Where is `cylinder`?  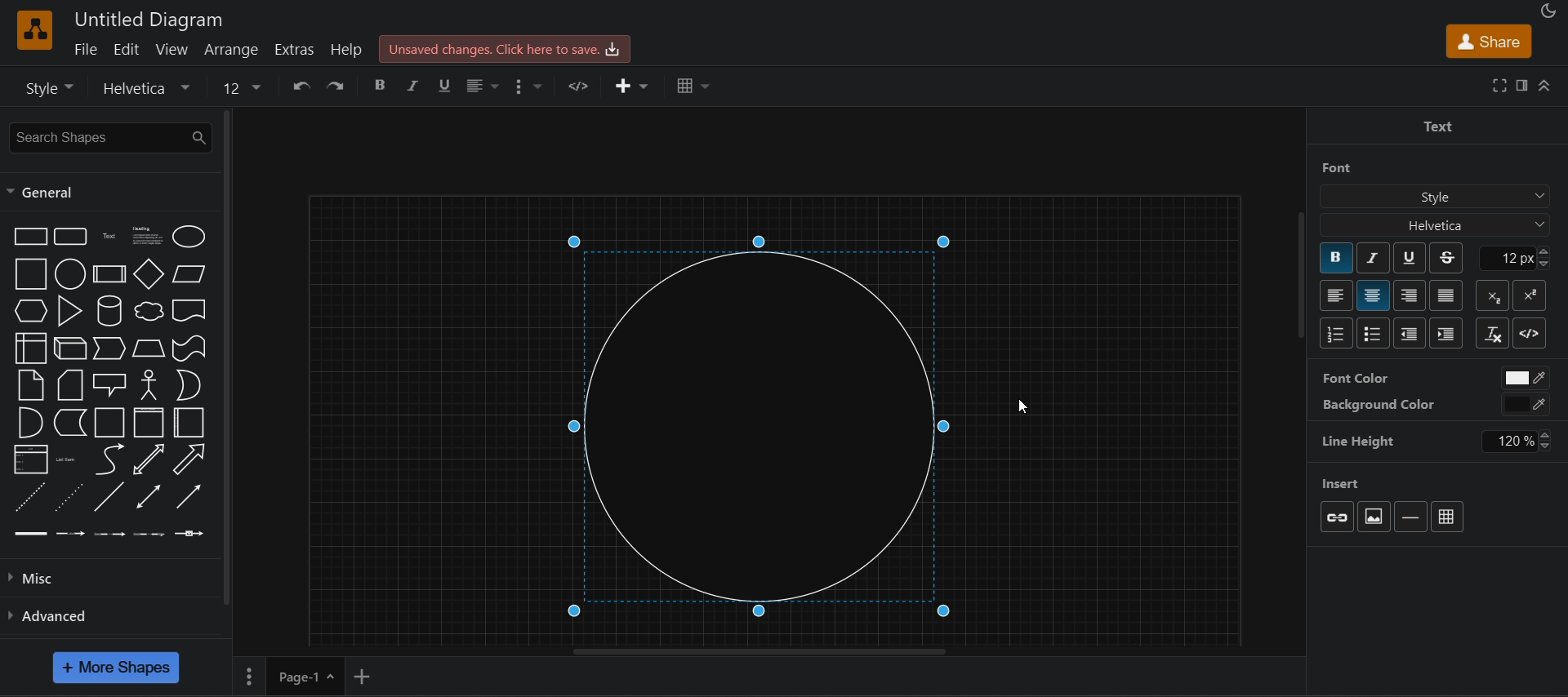 cylinder is located at coordinates (112, 311).